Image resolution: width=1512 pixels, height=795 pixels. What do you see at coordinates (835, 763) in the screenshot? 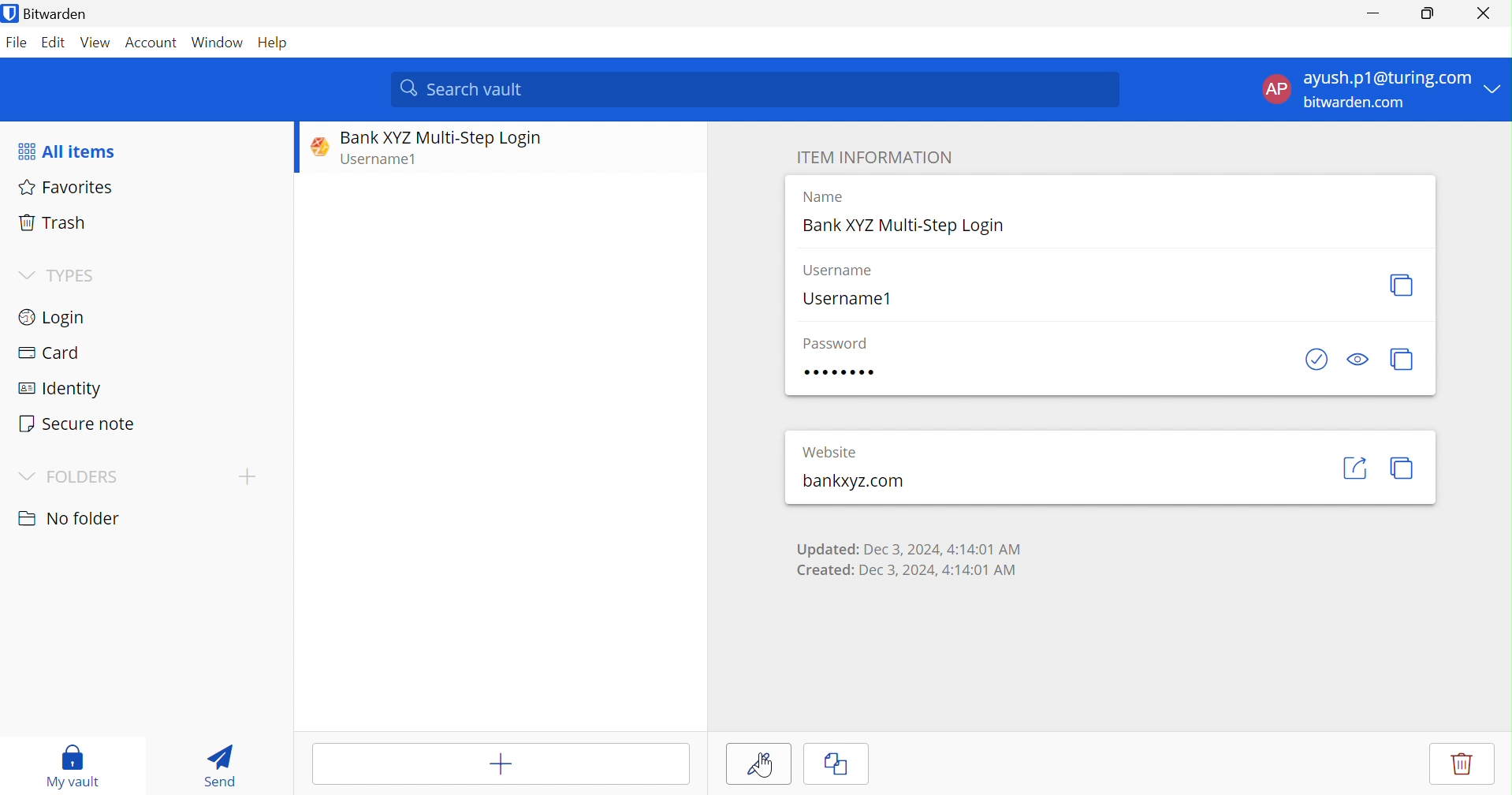
I see `Clone` at bounding box center [835, 763].